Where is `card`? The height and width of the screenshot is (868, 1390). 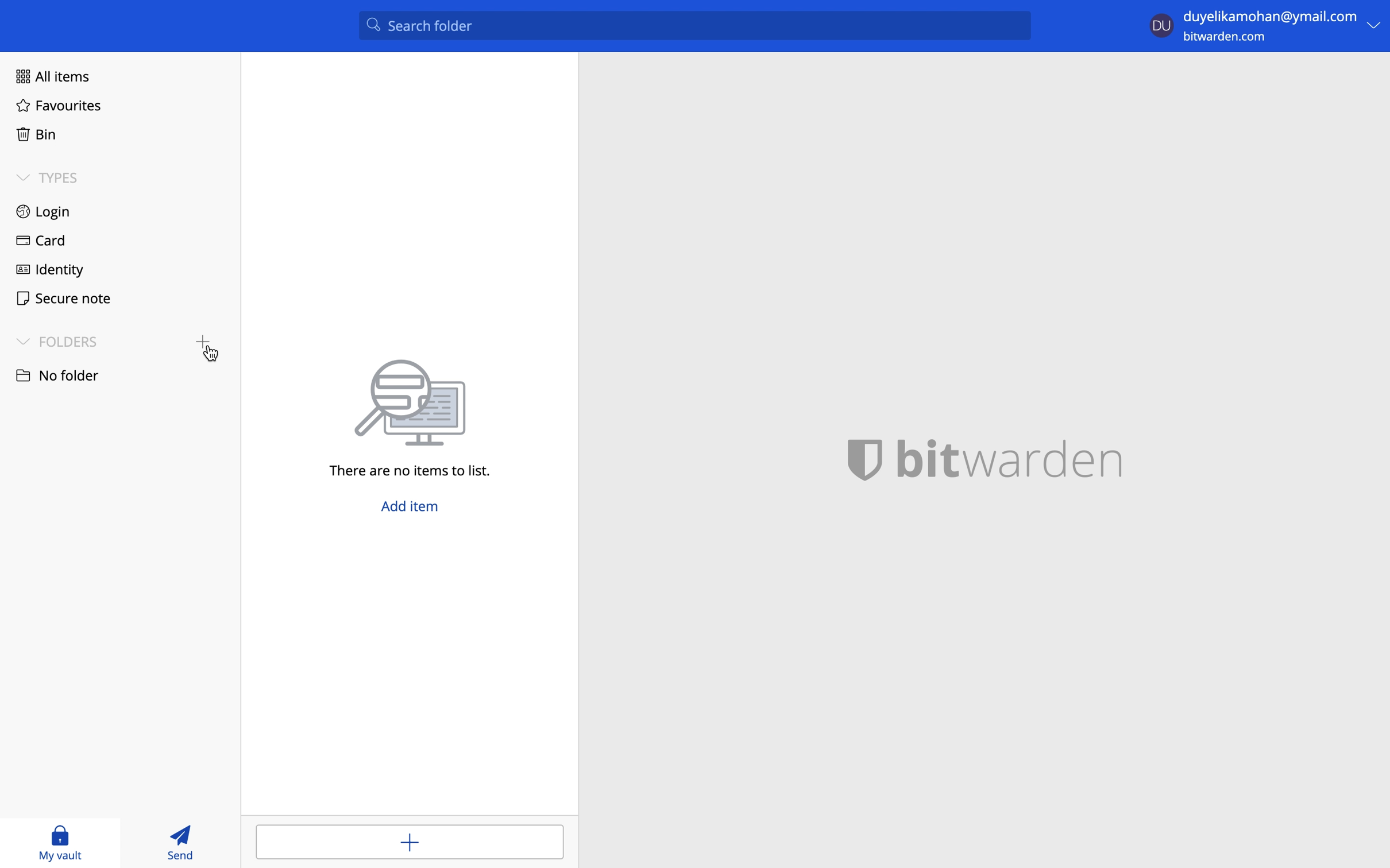 card is located at coordinates (38, 242).